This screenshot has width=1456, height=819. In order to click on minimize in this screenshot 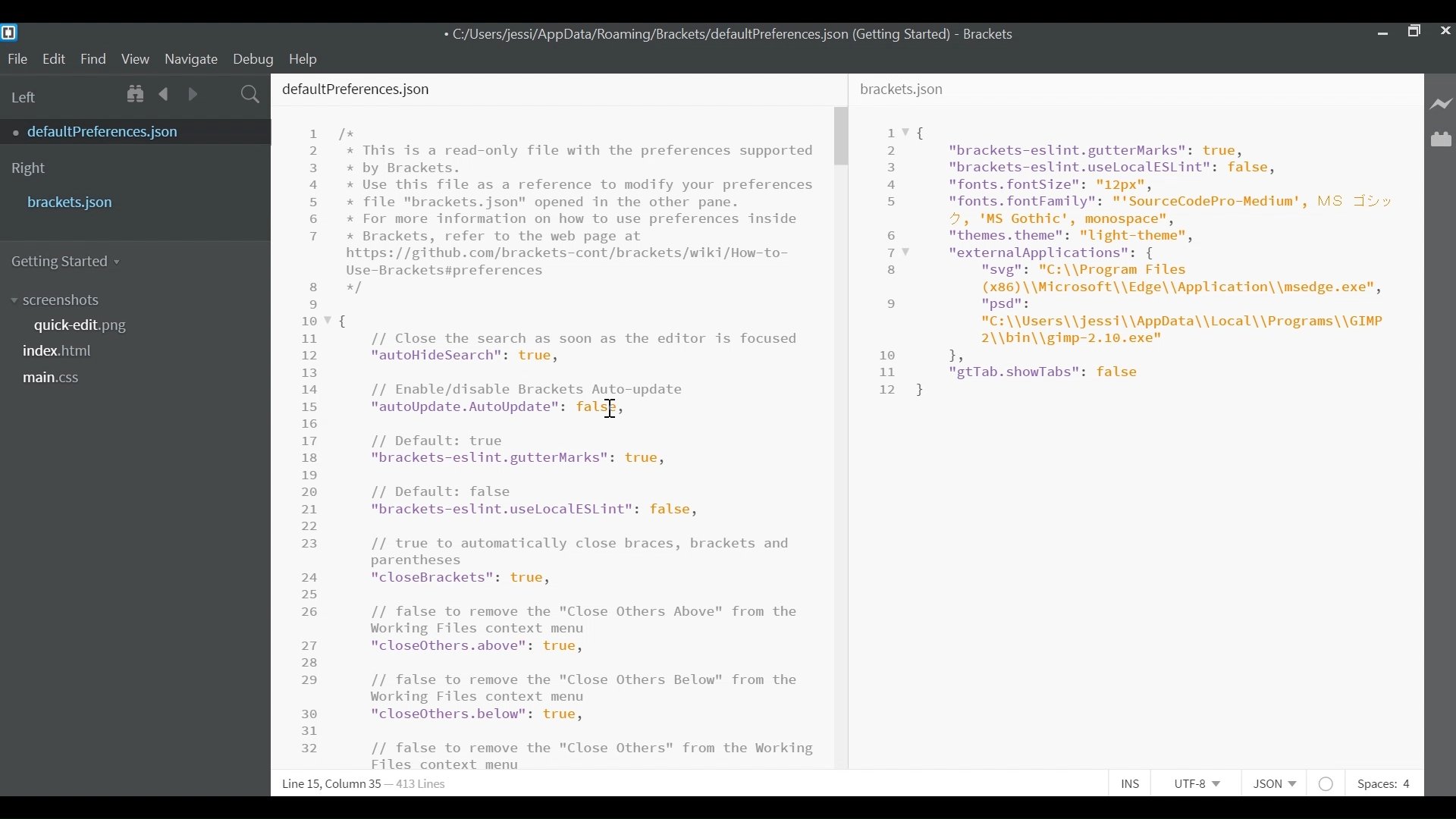, I will do `click(1381, 30)`.